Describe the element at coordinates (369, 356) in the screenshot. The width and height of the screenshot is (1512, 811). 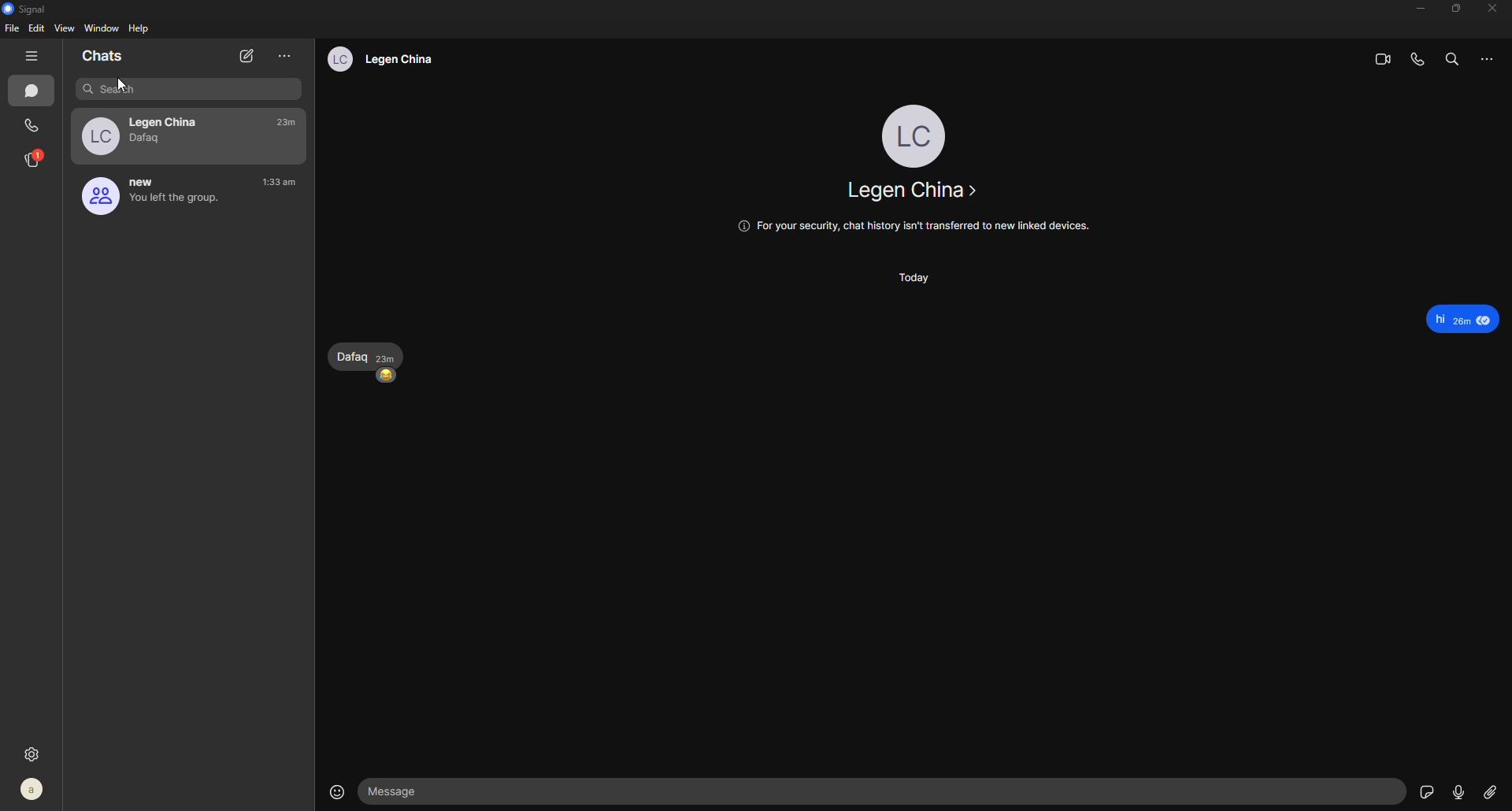
I see `dafaq 23m` at that location.